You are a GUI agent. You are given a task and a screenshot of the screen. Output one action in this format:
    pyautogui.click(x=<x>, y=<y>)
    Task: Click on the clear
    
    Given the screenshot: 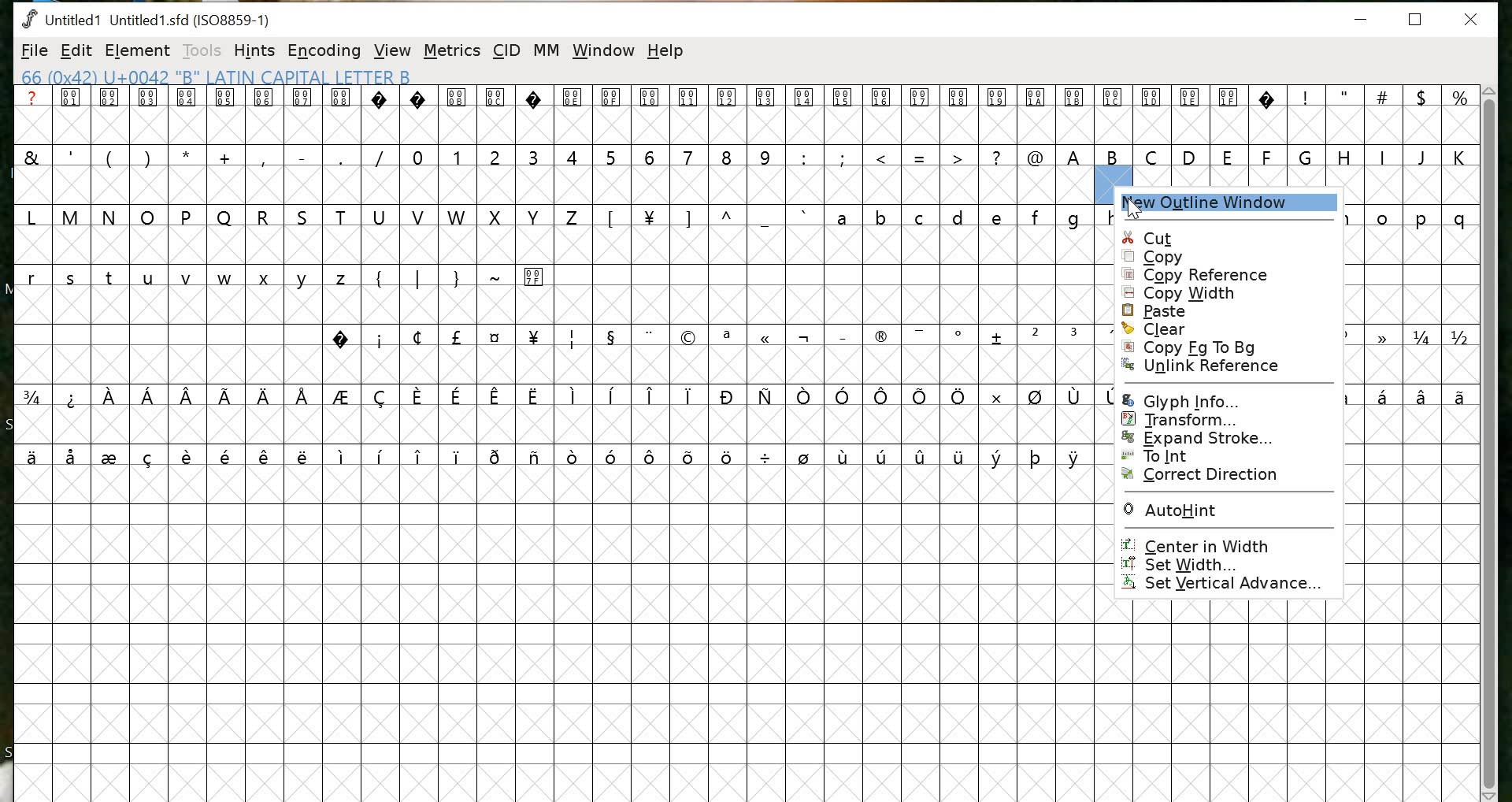 What is the action you would take?
    pyautogui.click(x=1235, y=329)
    